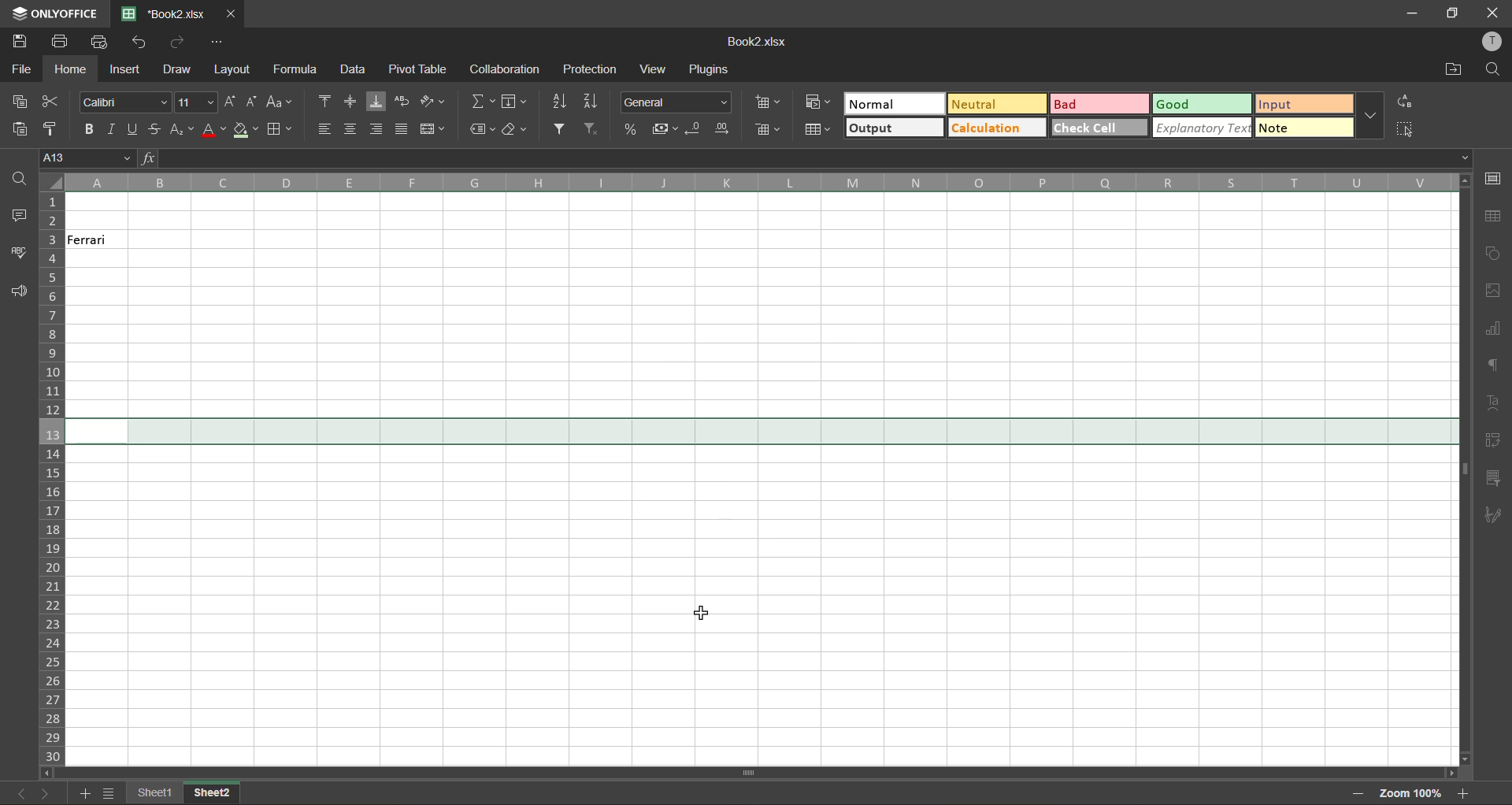  What do you see at coordinates (1204, 127) in the screenshot?
I see `explanatory text` at bounding box center [1204, 127].